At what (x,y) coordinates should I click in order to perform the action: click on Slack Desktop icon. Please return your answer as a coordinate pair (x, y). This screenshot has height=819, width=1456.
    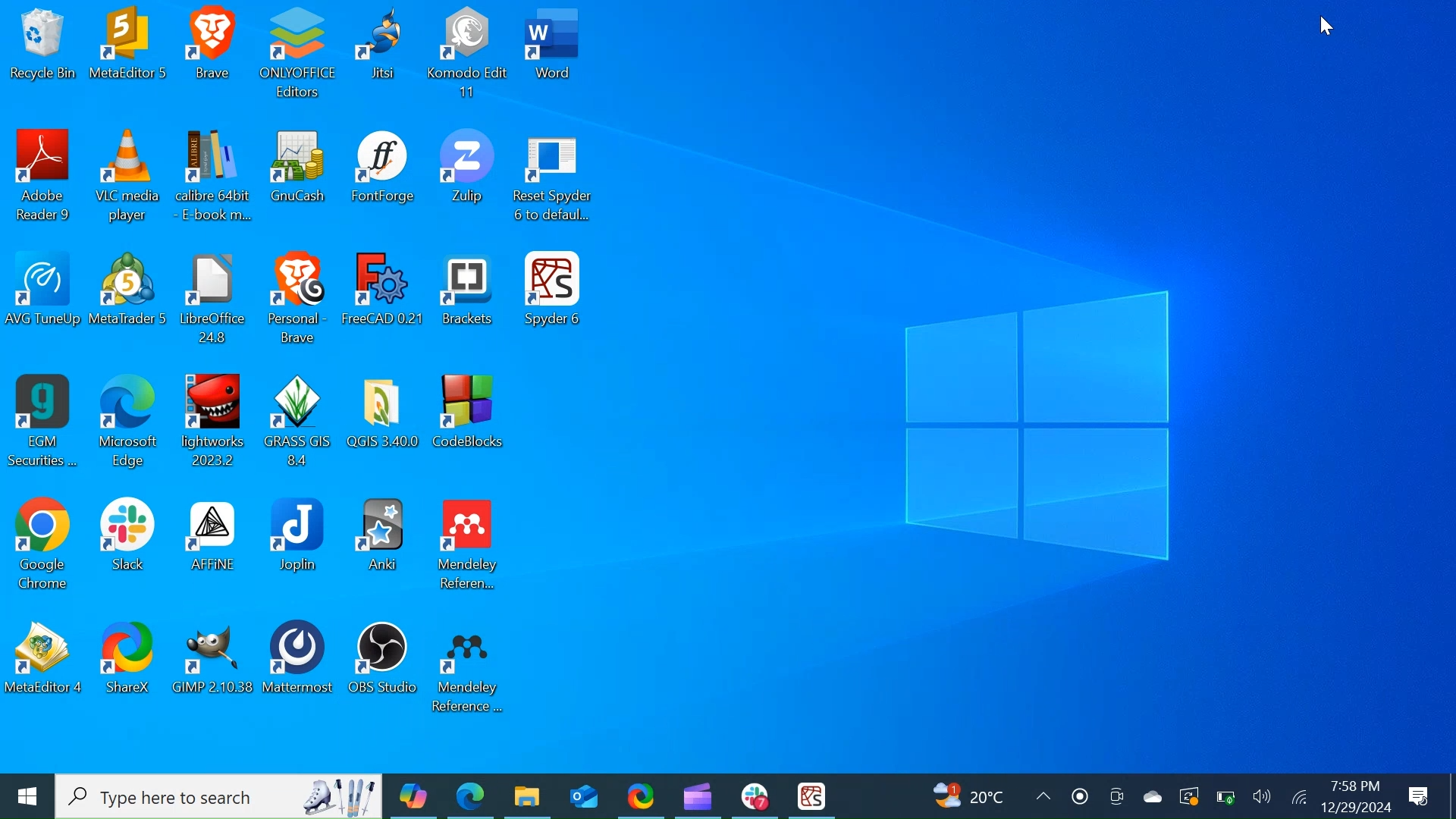
    Looking at the image, I should click on (129, 548).